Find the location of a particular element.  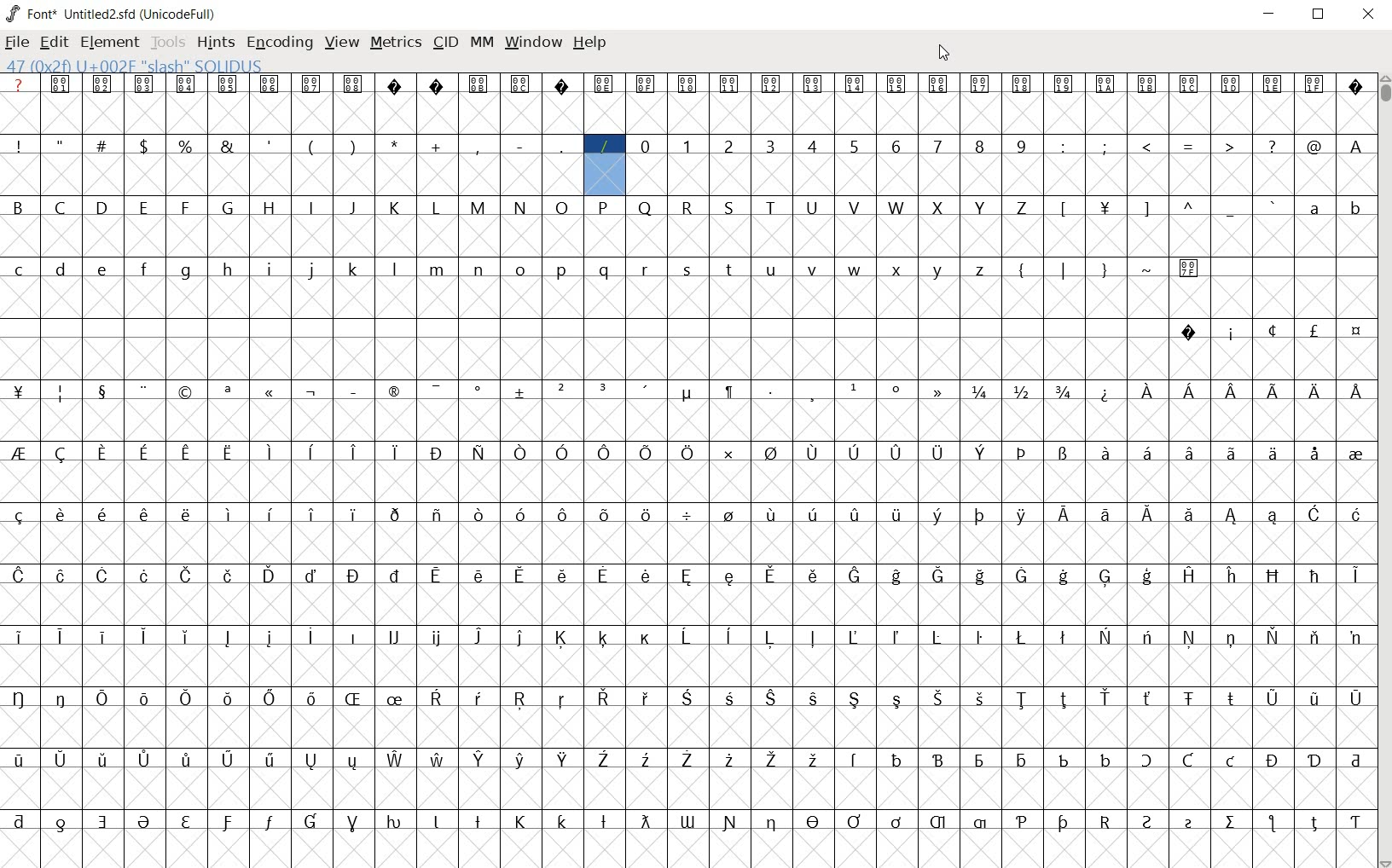

glyph is located at coordinates (519, 84).